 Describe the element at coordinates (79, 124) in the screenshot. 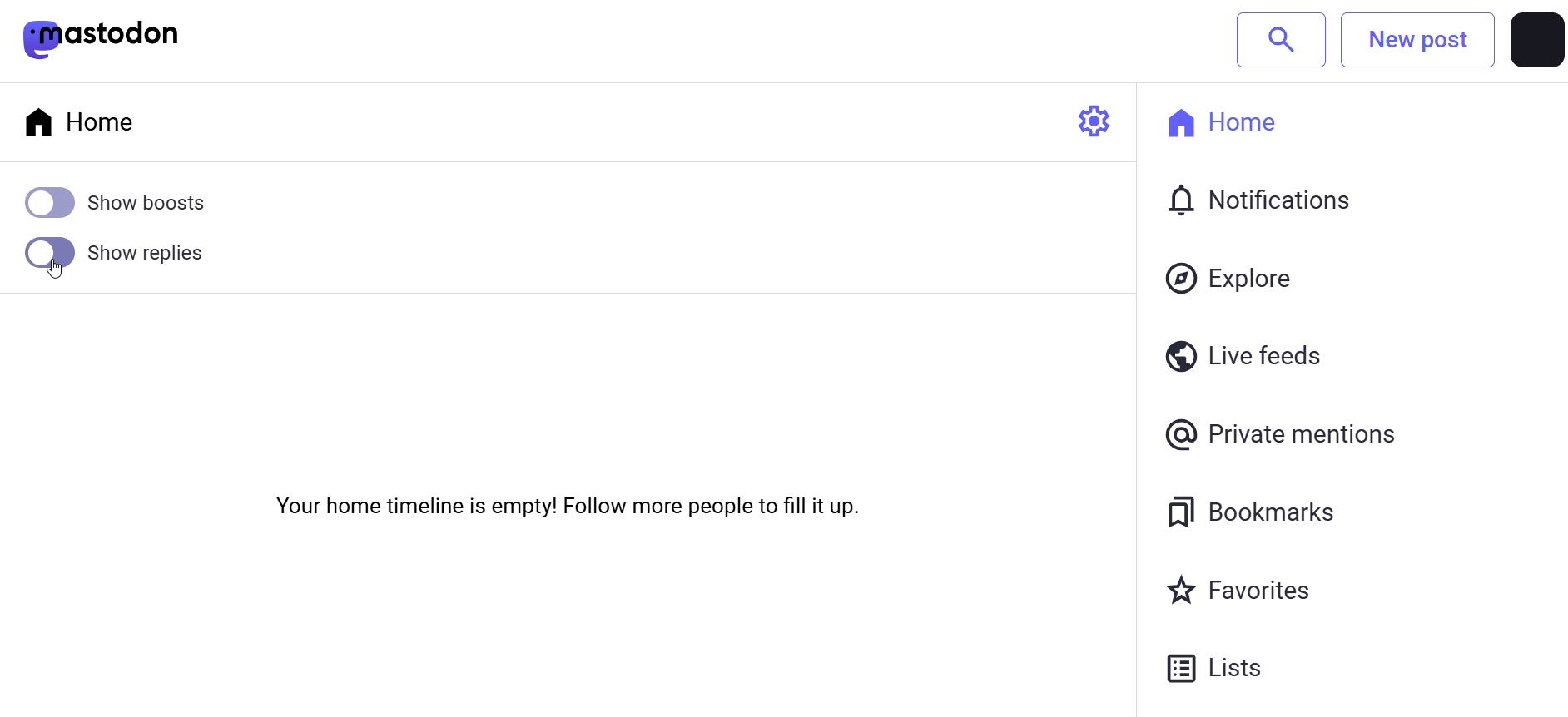

I see `home tab` at that location.